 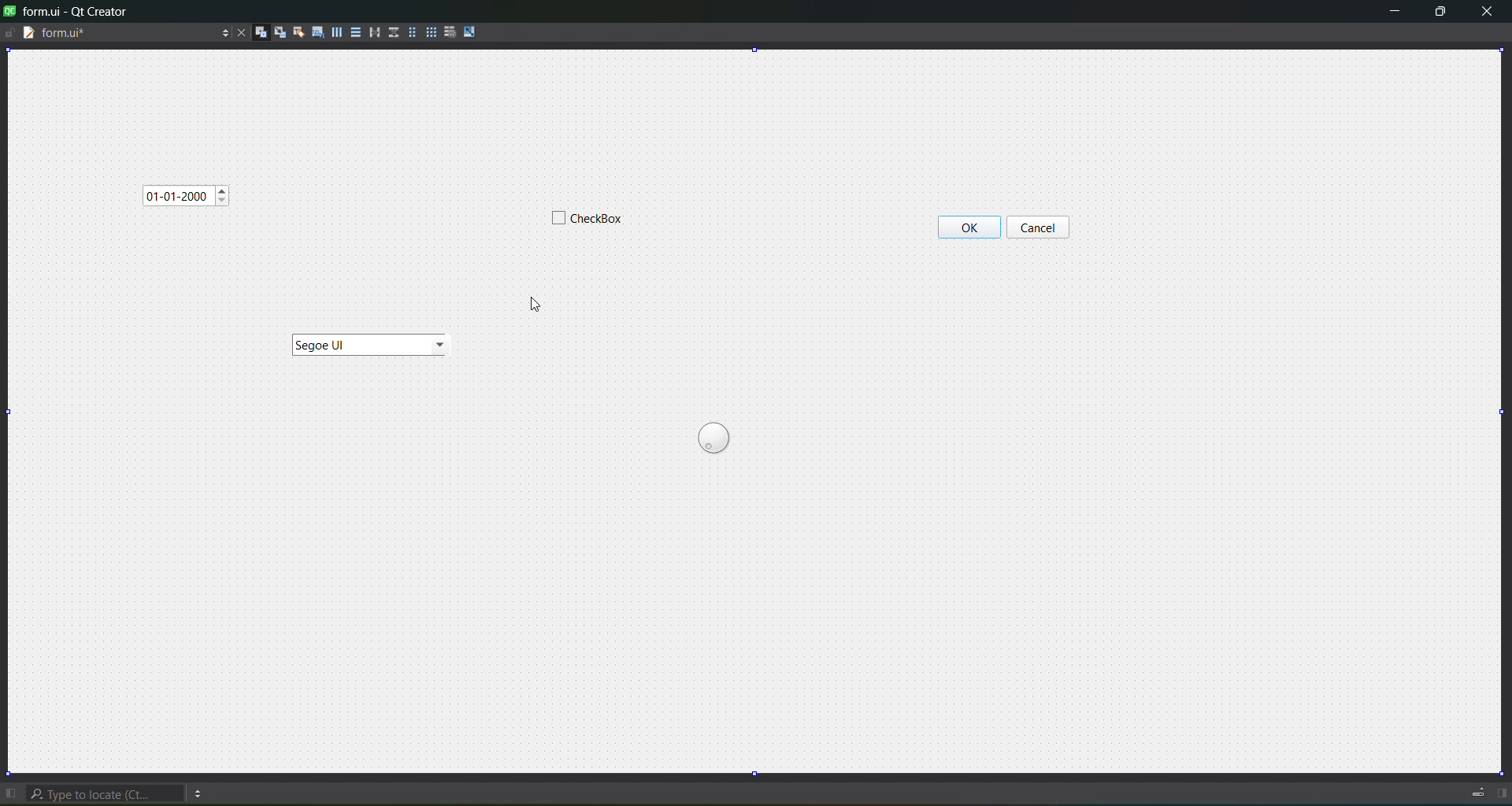 What do you see at coordinates (258, 31) in the screenshot?
I see `edit widgets` at bounding box center [258, 31].